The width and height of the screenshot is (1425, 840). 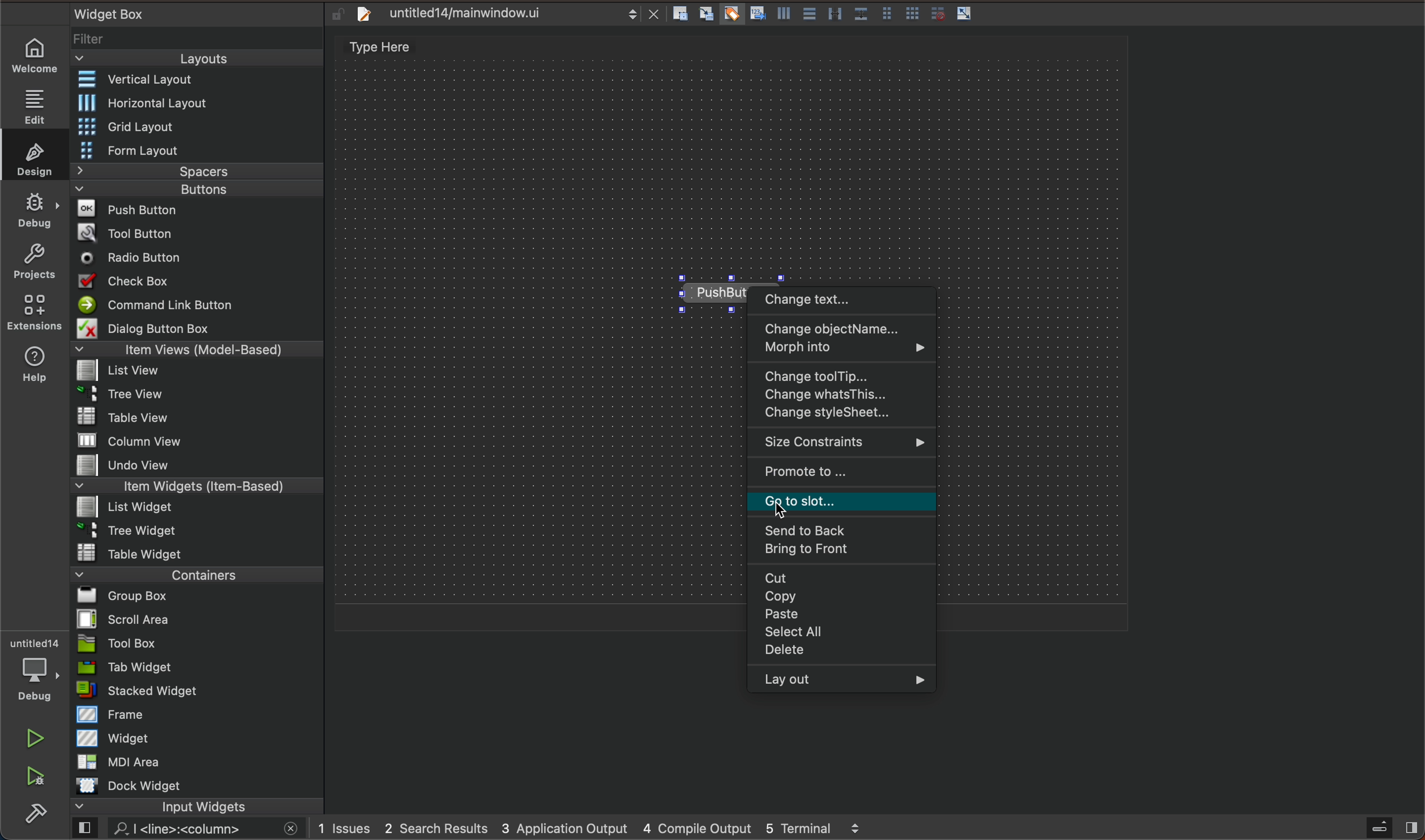 I want to click on stylesheet, so click(x=840, y=414).